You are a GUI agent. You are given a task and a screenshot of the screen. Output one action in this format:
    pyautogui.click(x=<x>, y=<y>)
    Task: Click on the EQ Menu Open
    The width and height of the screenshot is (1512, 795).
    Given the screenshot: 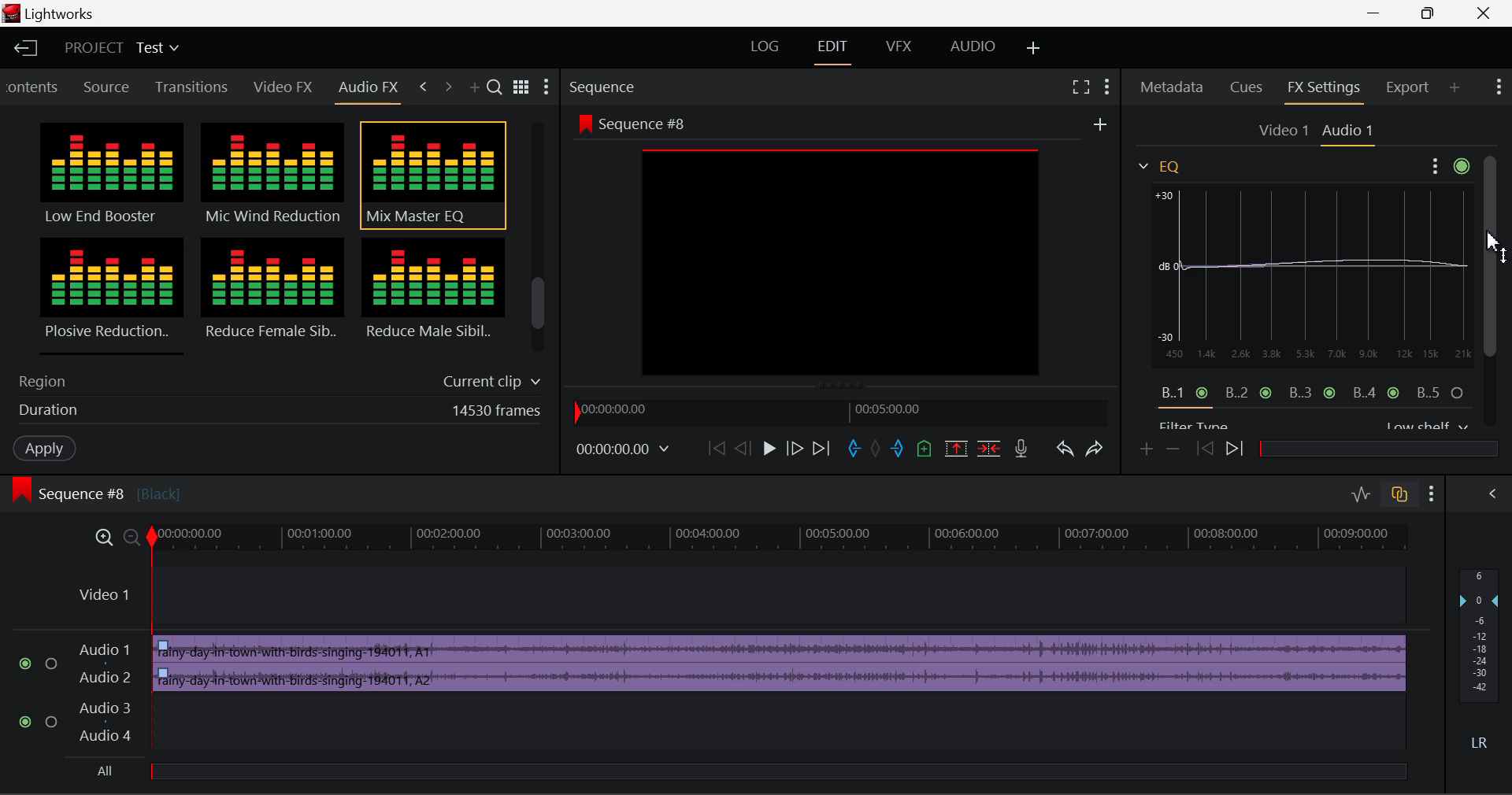 What is the action you would take?
    pyautogui.click(x=1167, y=164)
    